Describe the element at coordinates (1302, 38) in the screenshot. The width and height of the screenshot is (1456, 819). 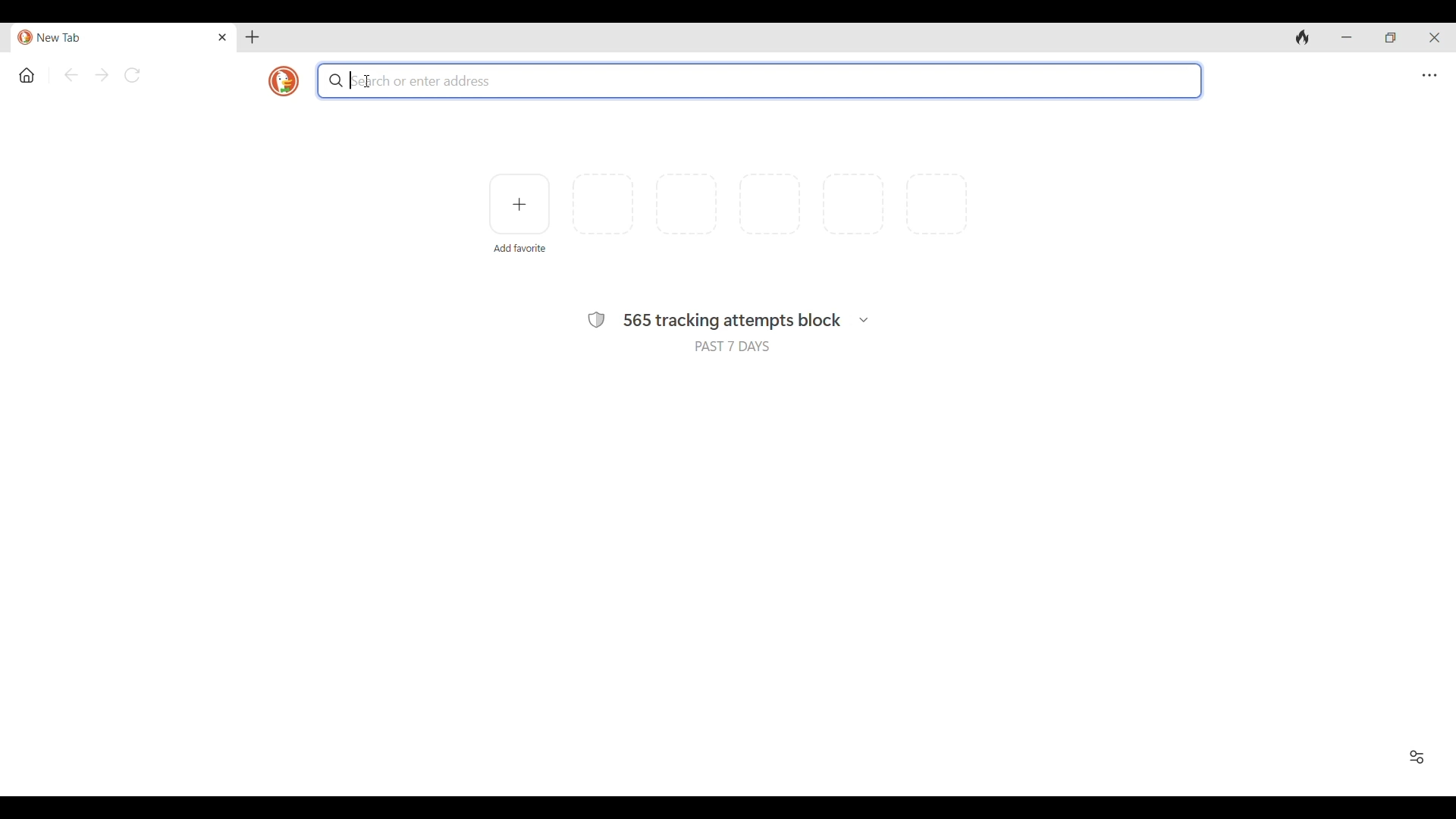
I see `Clear browsing history` at that location.